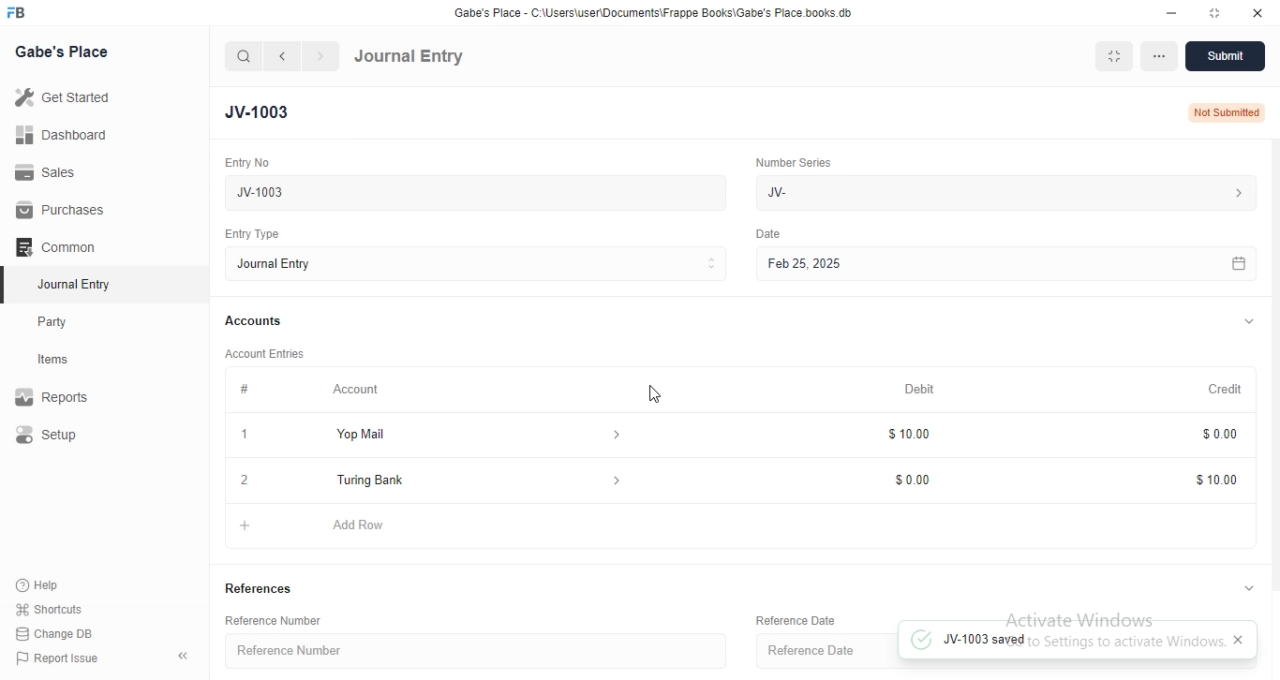 The image size is (1280, 680). What do you see at coordinates (250, 234) in the screenshot?
I see `Entry Type` at bounding box center [250, 234].